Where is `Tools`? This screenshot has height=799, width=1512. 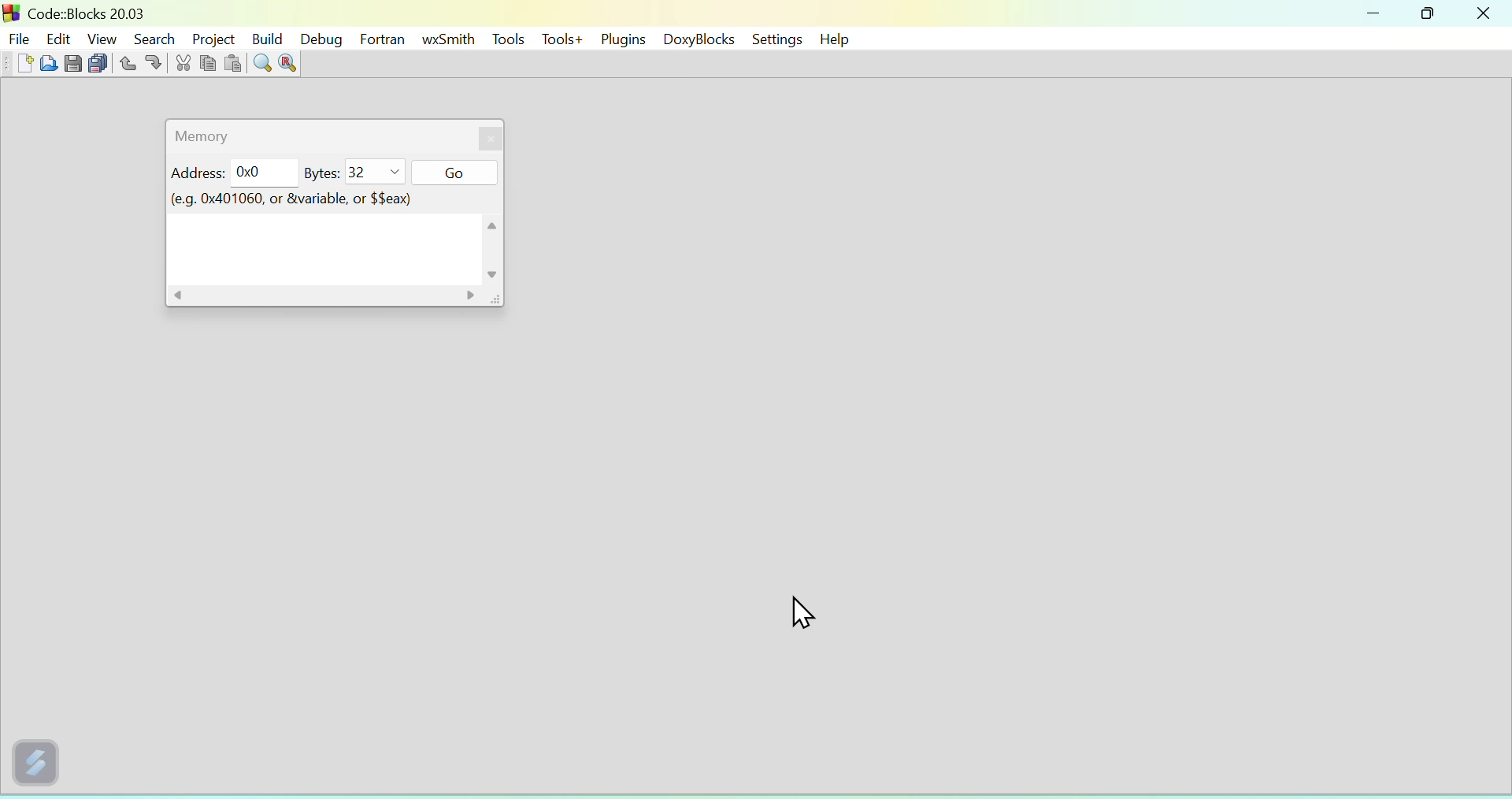
Tools is located at coordinates (507, 37).